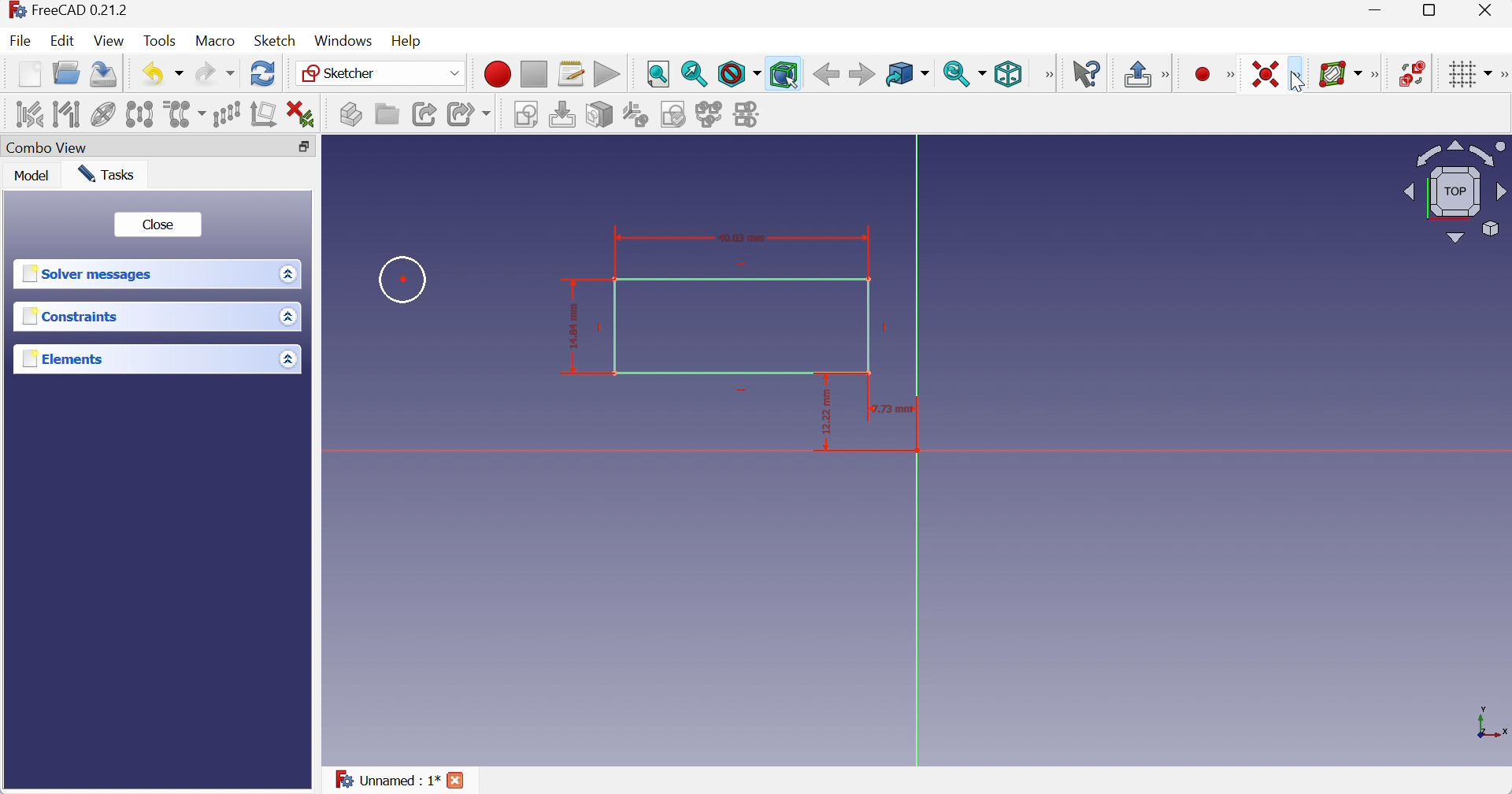 The width and height of the screenshot is (1512, 794). Describe the element at coordinates (1489, 721) in the screenshot. I see `x, y axis` at that location.